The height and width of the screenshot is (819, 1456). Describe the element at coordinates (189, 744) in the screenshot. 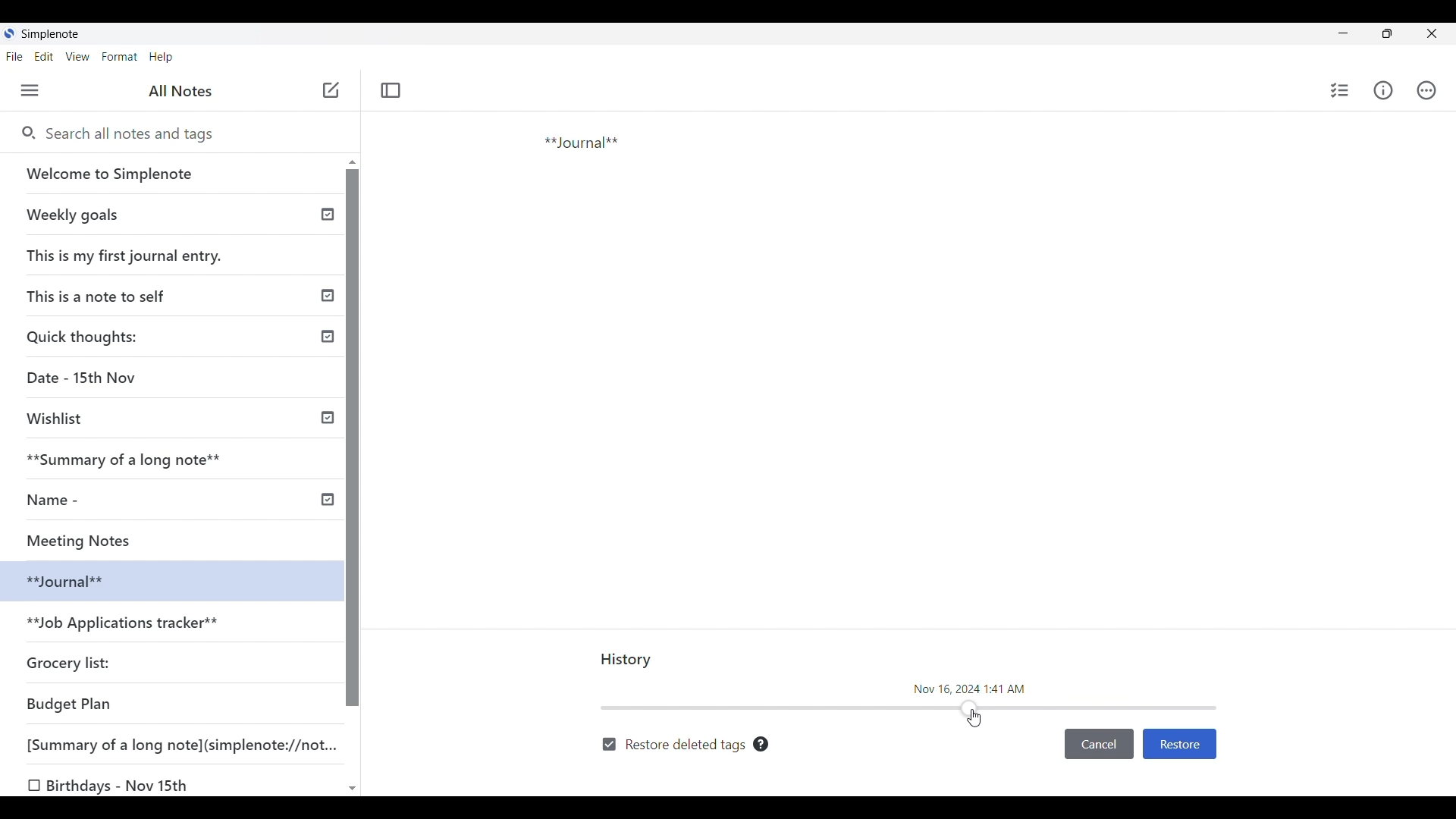

I see `[Summary of a long note](simplenote://not...` at that location.